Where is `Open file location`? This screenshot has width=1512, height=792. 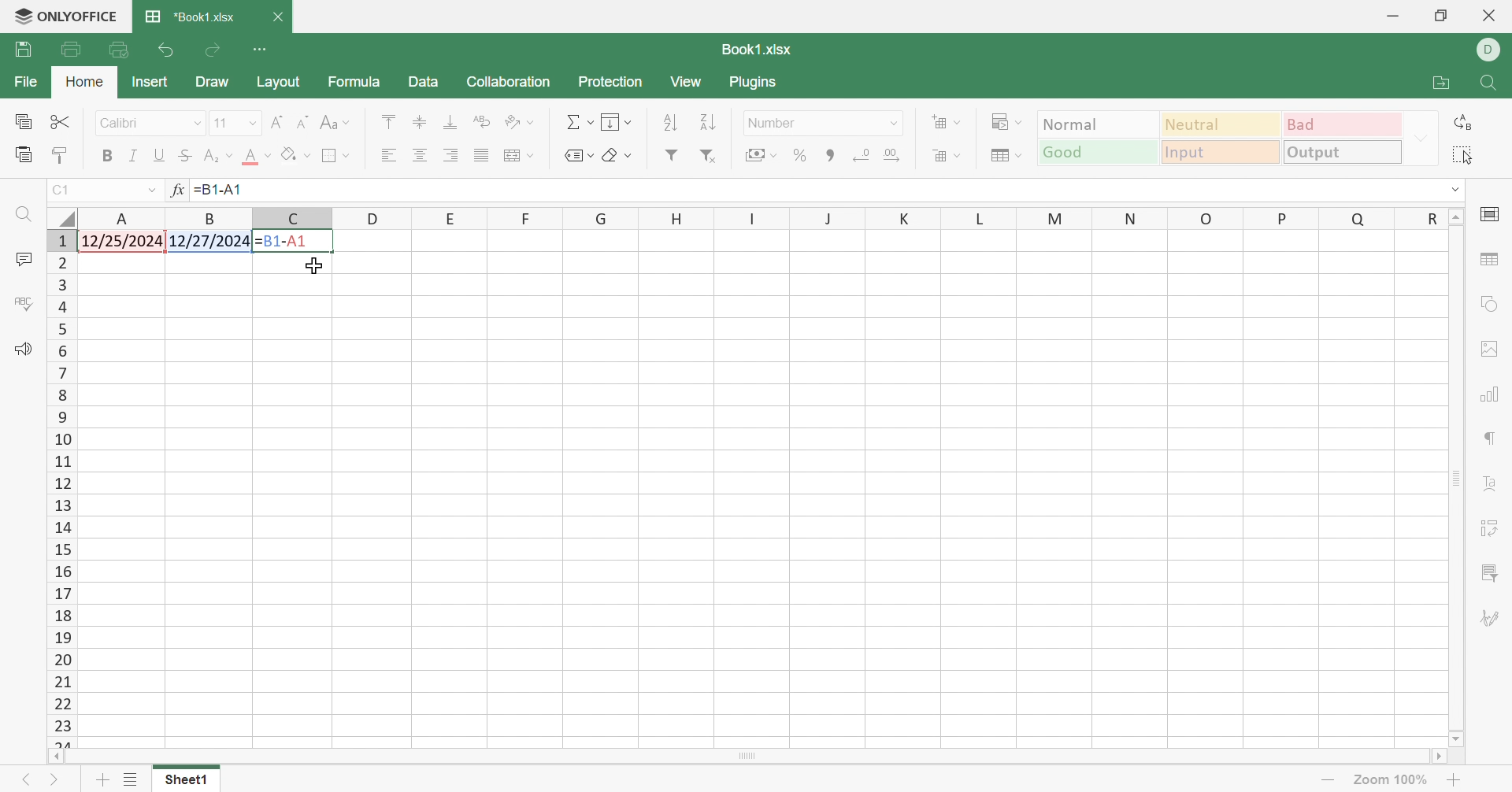 Open file location is located at coordinates (1443, 83).